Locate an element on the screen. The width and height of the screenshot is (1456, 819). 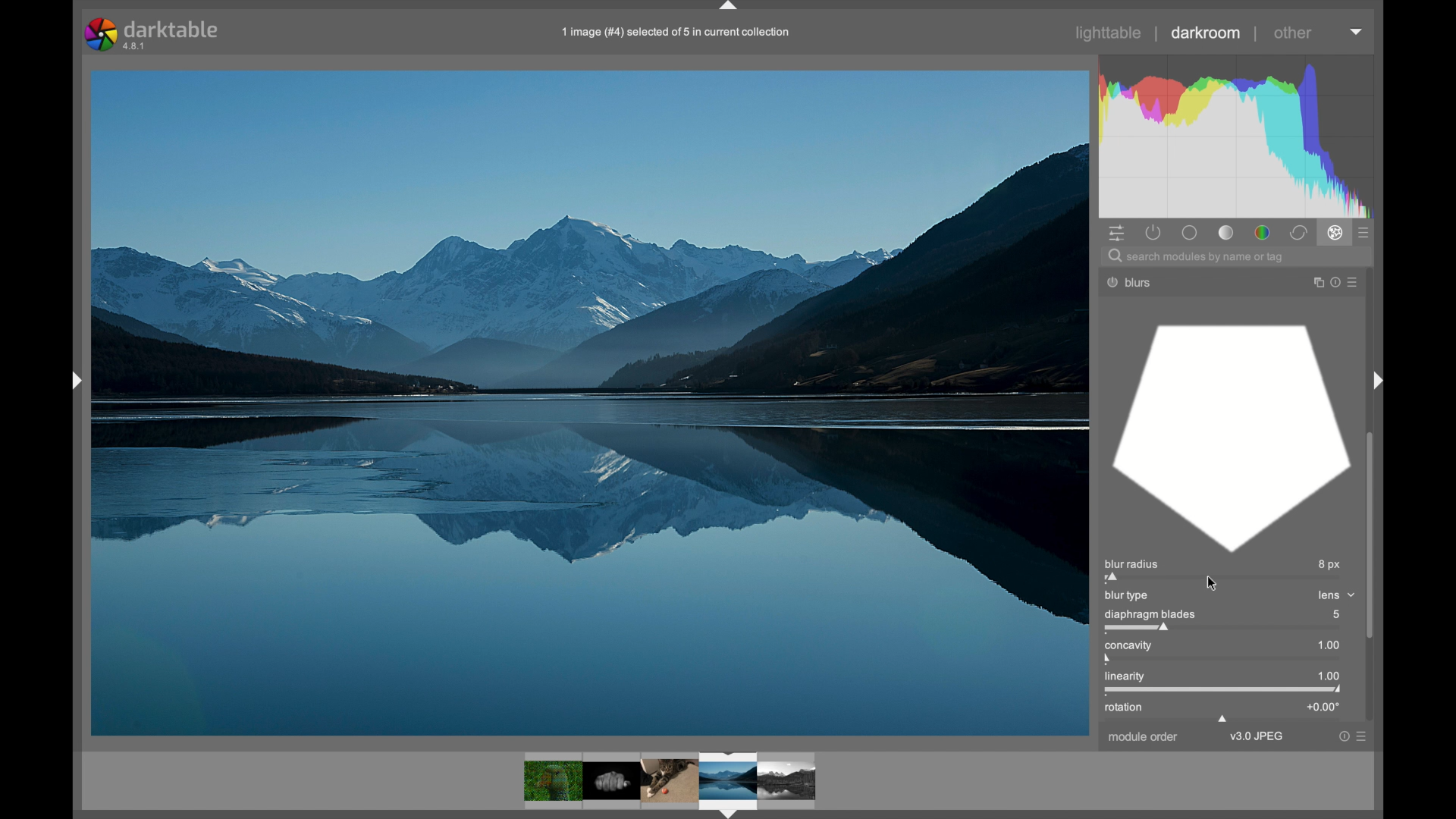
moreoptions is located at coordinates (1363, 736).